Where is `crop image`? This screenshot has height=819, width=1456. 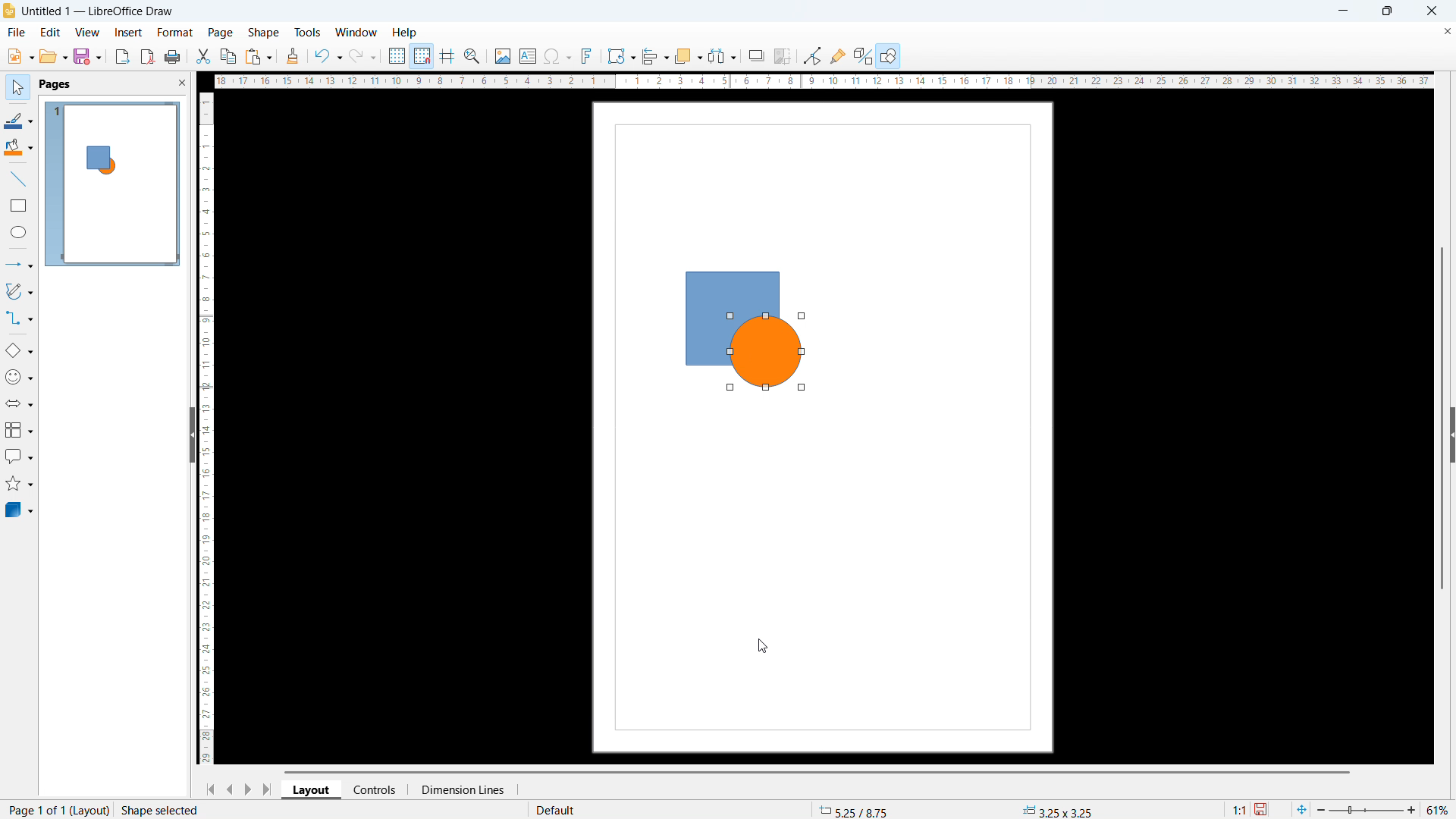
crop image is located at coordinates (783, 56).